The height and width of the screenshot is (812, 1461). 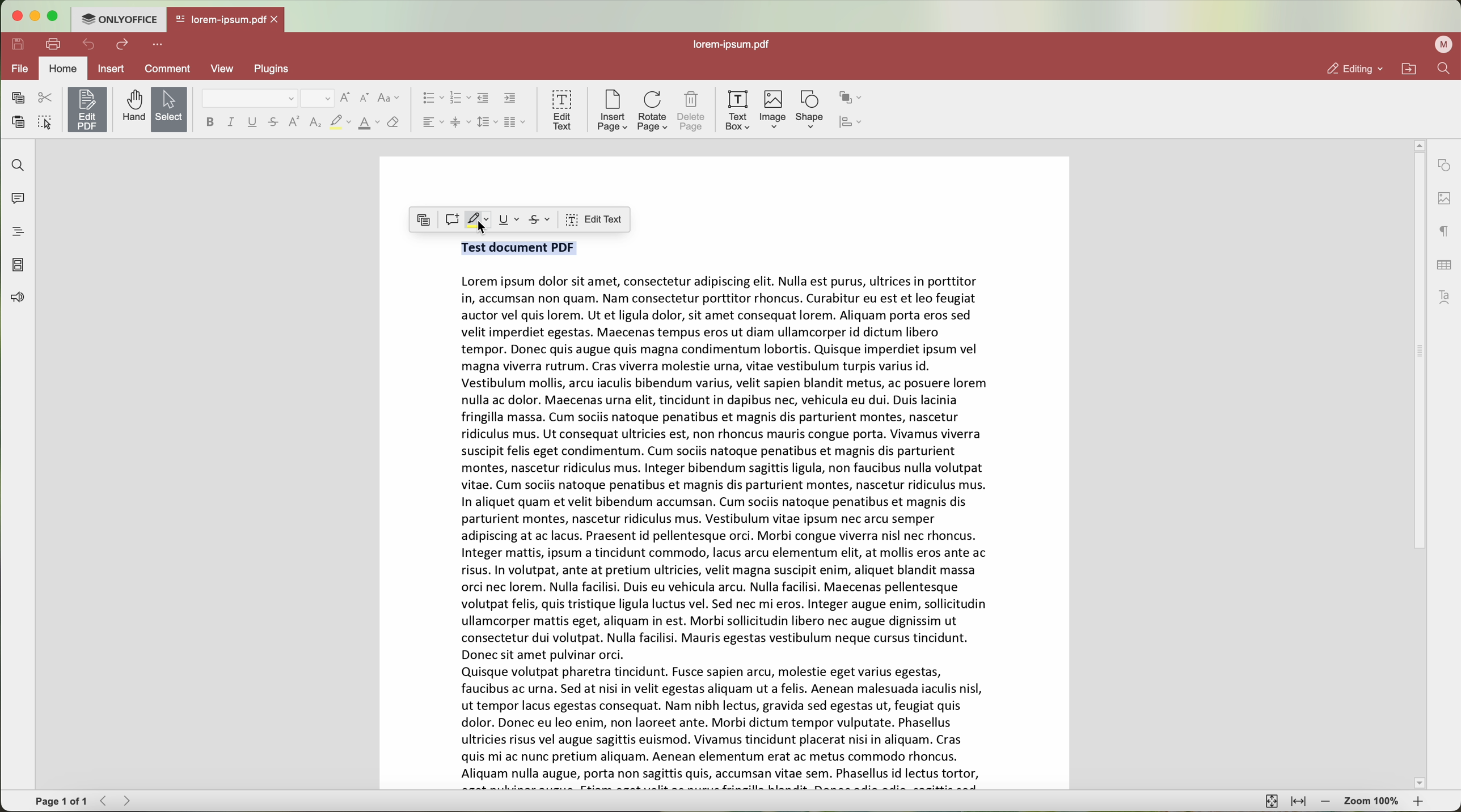 What do you see at coordinates (462, 122) in the screenshot?
I see `vertical align` at bounding box center [462, 122].